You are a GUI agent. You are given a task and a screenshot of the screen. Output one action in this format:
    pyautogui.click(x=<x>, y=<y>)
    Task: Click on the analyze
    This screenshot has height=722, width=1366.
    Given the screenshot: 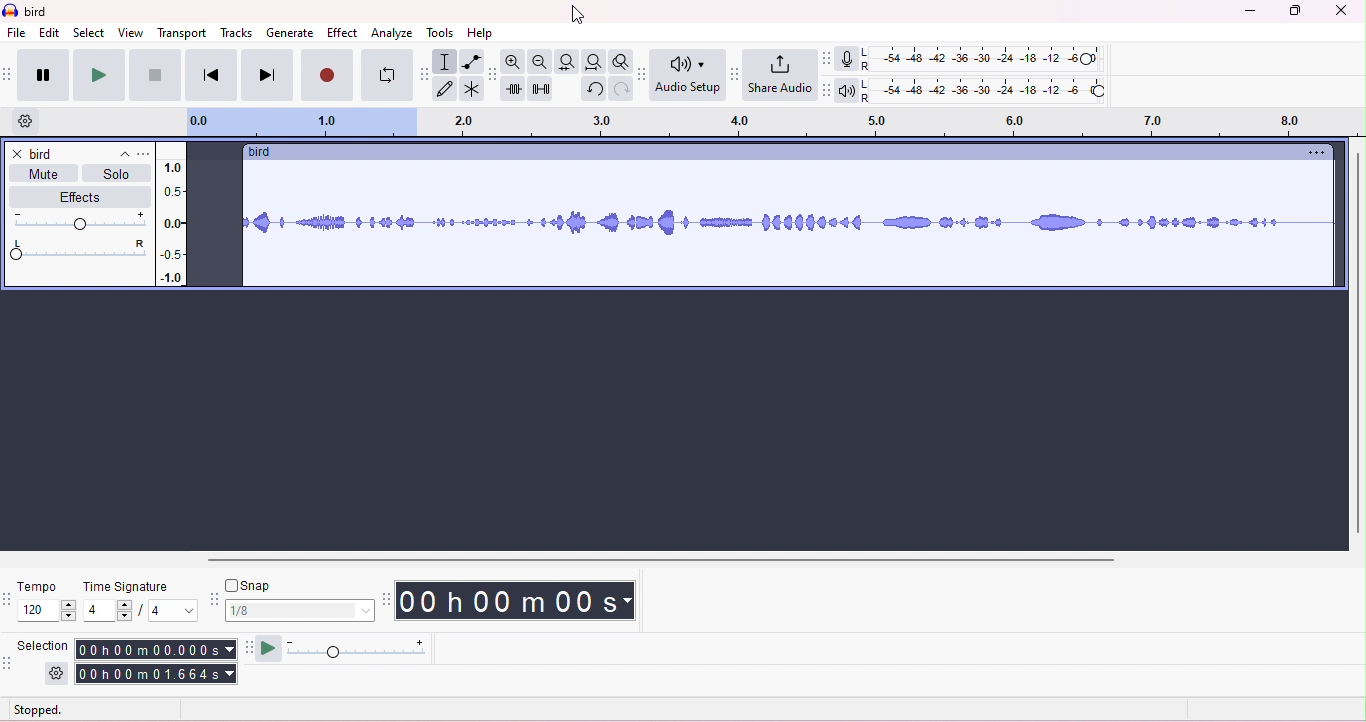 What is the action you would take?
    pyautogui.click(x=394, y=32)
    